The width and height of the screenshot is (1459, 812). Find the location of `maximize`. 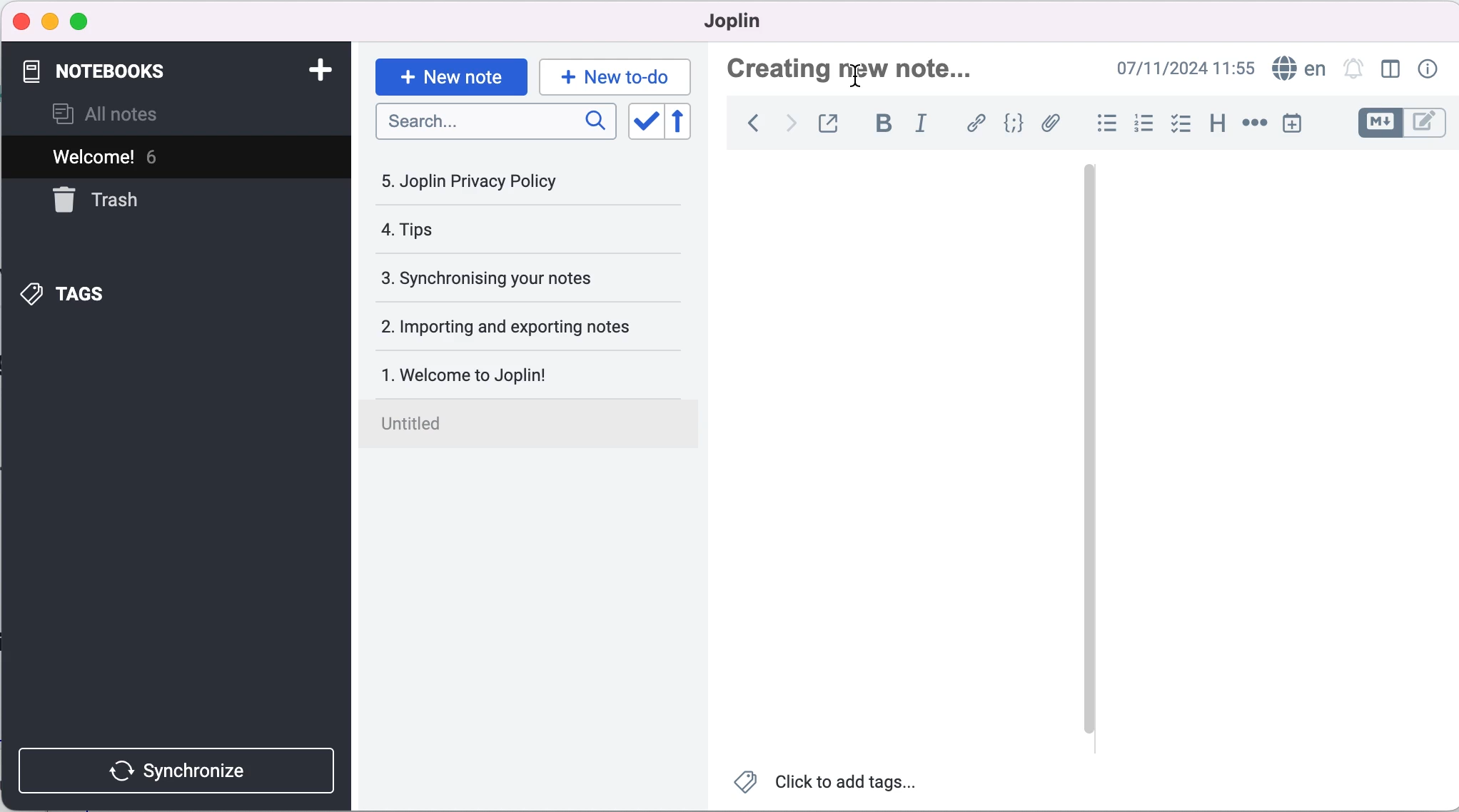

maximize is located at coordinates (79, 23).